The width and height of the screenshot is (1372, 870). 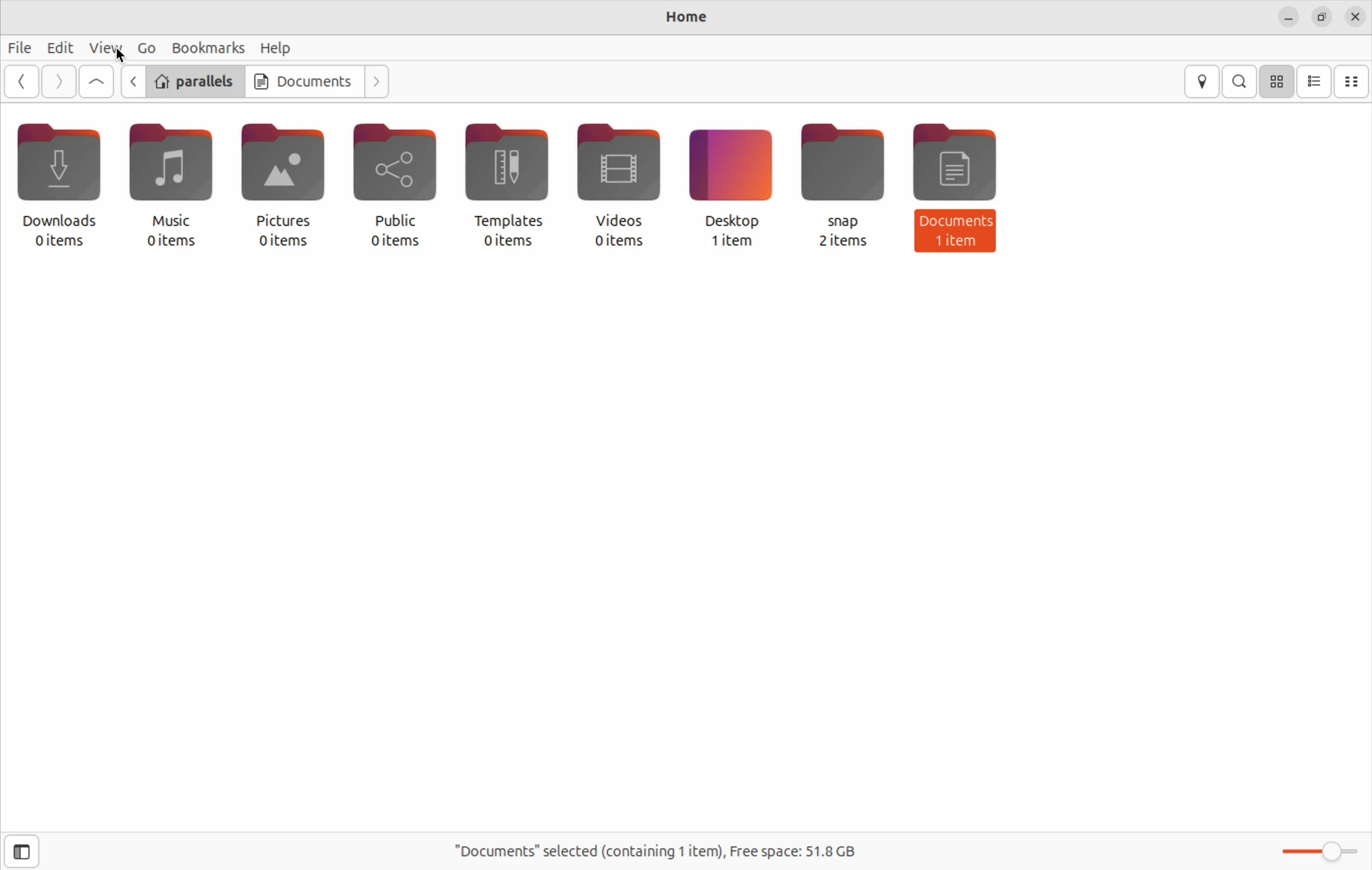 What do you see at coordinates (847, 243) in the screenshot?
I see `2 items` at bounding box center [847, 243].